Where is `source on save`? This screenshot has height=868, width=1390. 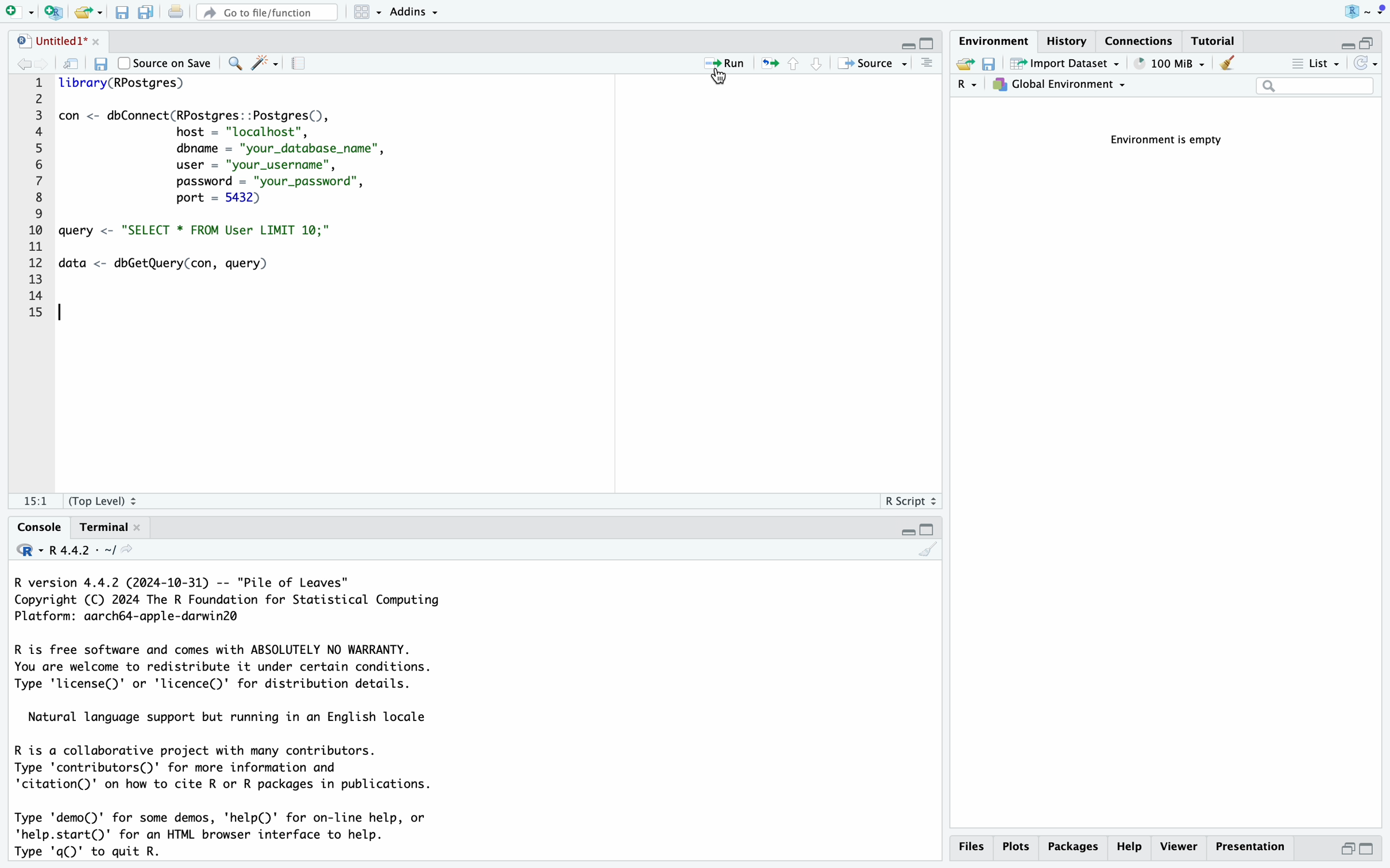
source on save is located at coordinates (167, 63).